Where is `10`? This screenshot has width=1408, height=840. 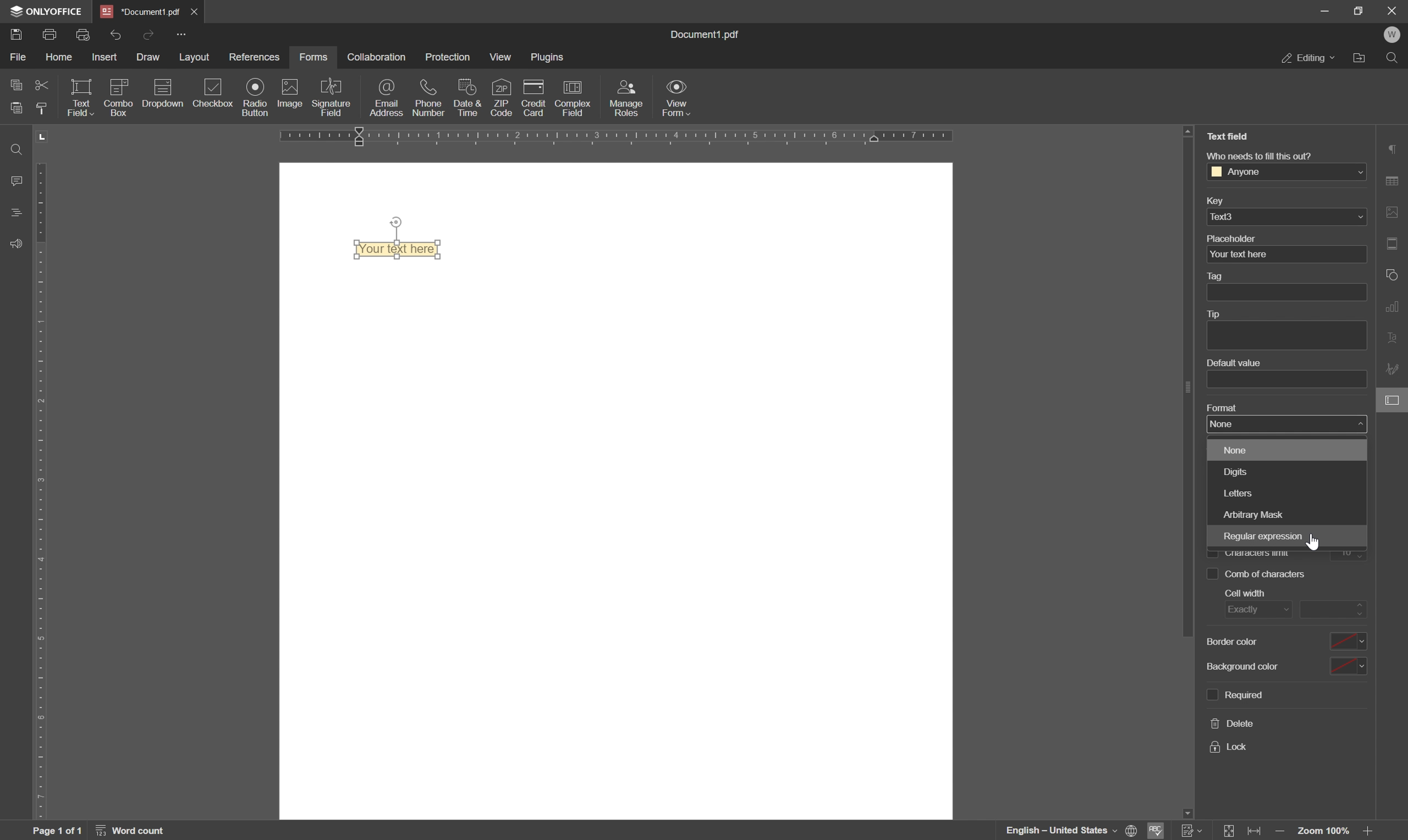 10 is located at coordinates (1266, 575).